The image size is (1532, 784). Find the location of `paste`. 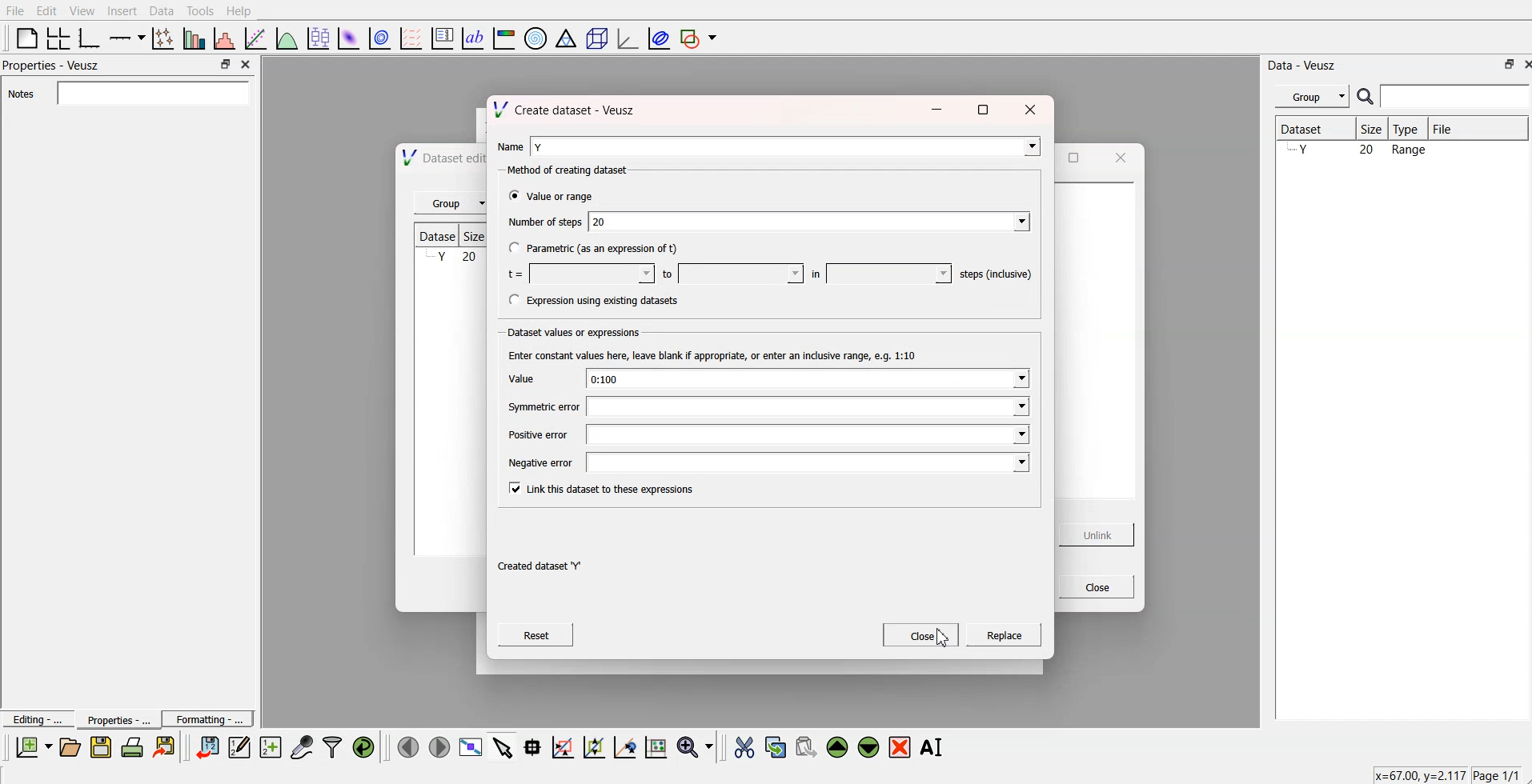

paste is located at coordinates (807, 745).